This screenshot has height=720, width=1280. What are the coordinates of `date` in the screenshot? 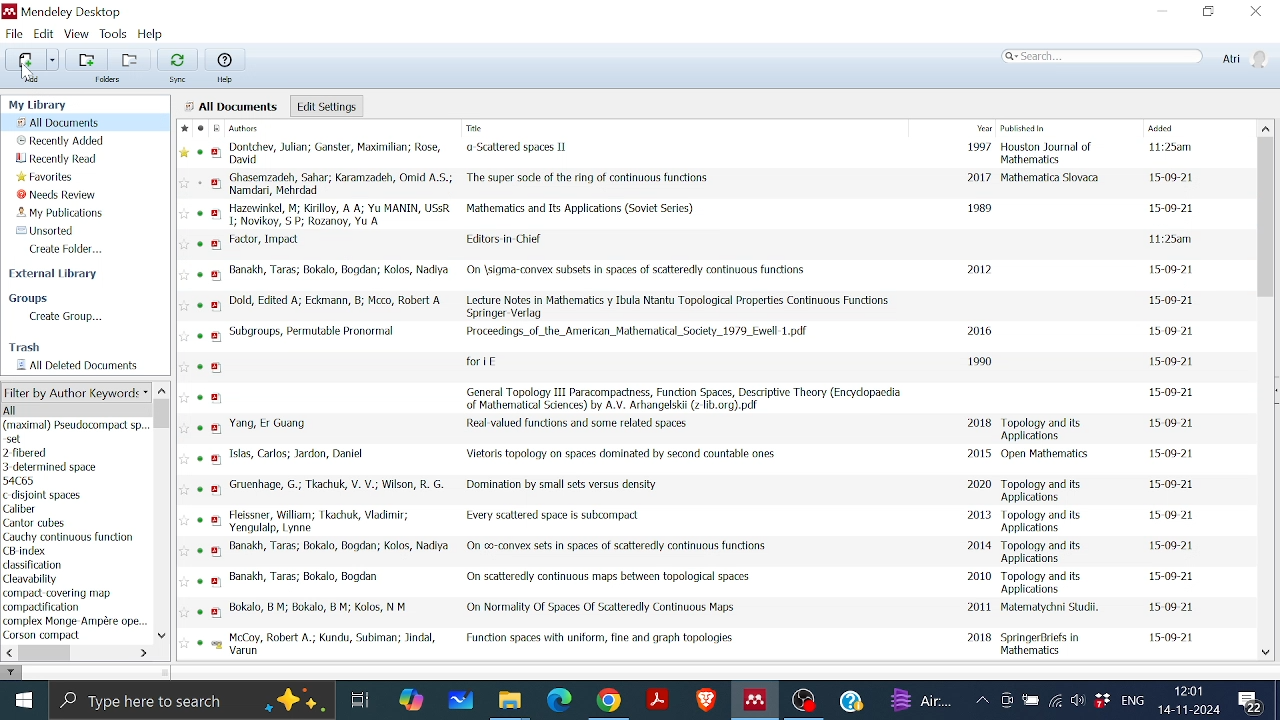 It's located at (1171, 454).